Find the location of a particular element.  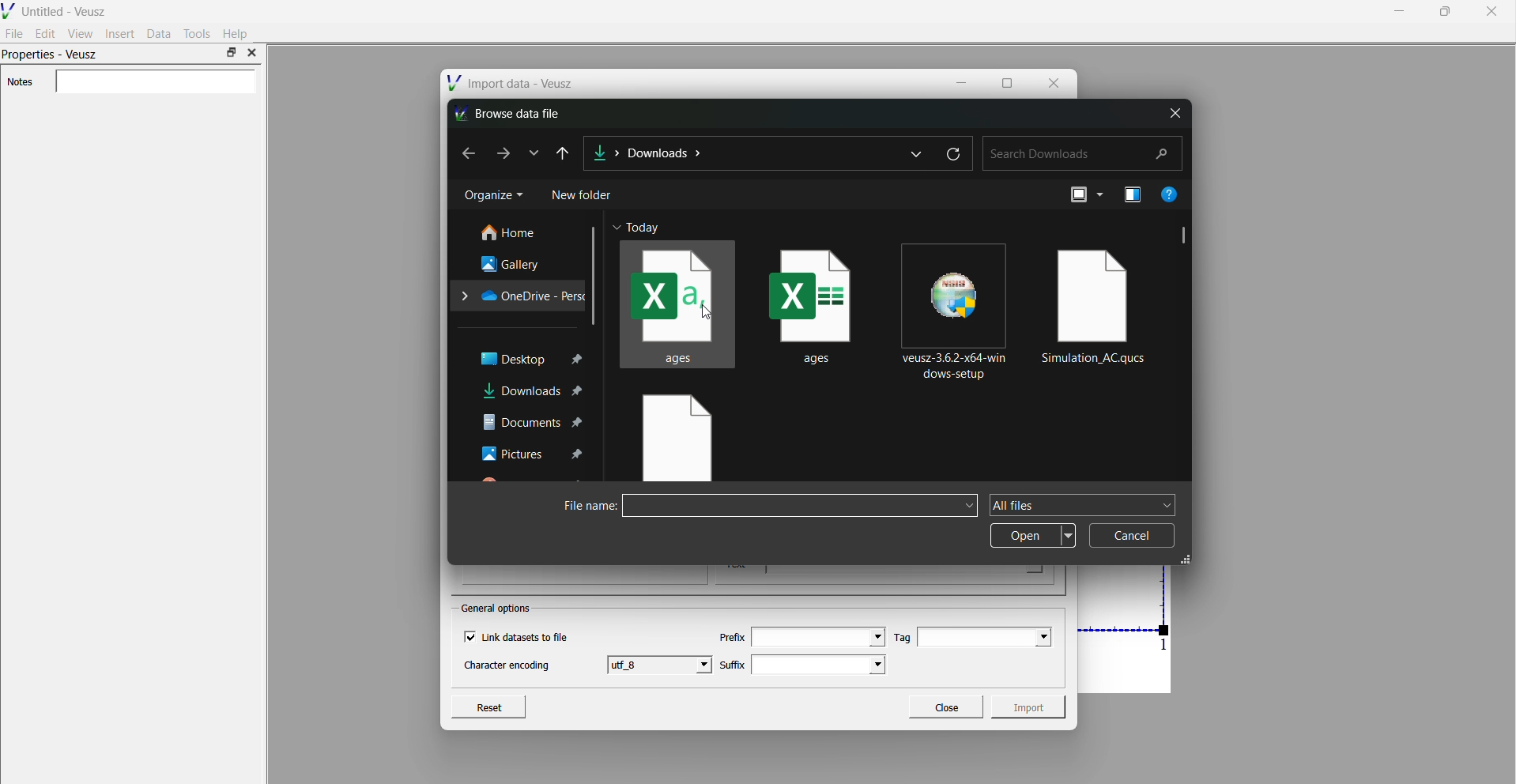

Downloads is located at coordinates (532, 392).